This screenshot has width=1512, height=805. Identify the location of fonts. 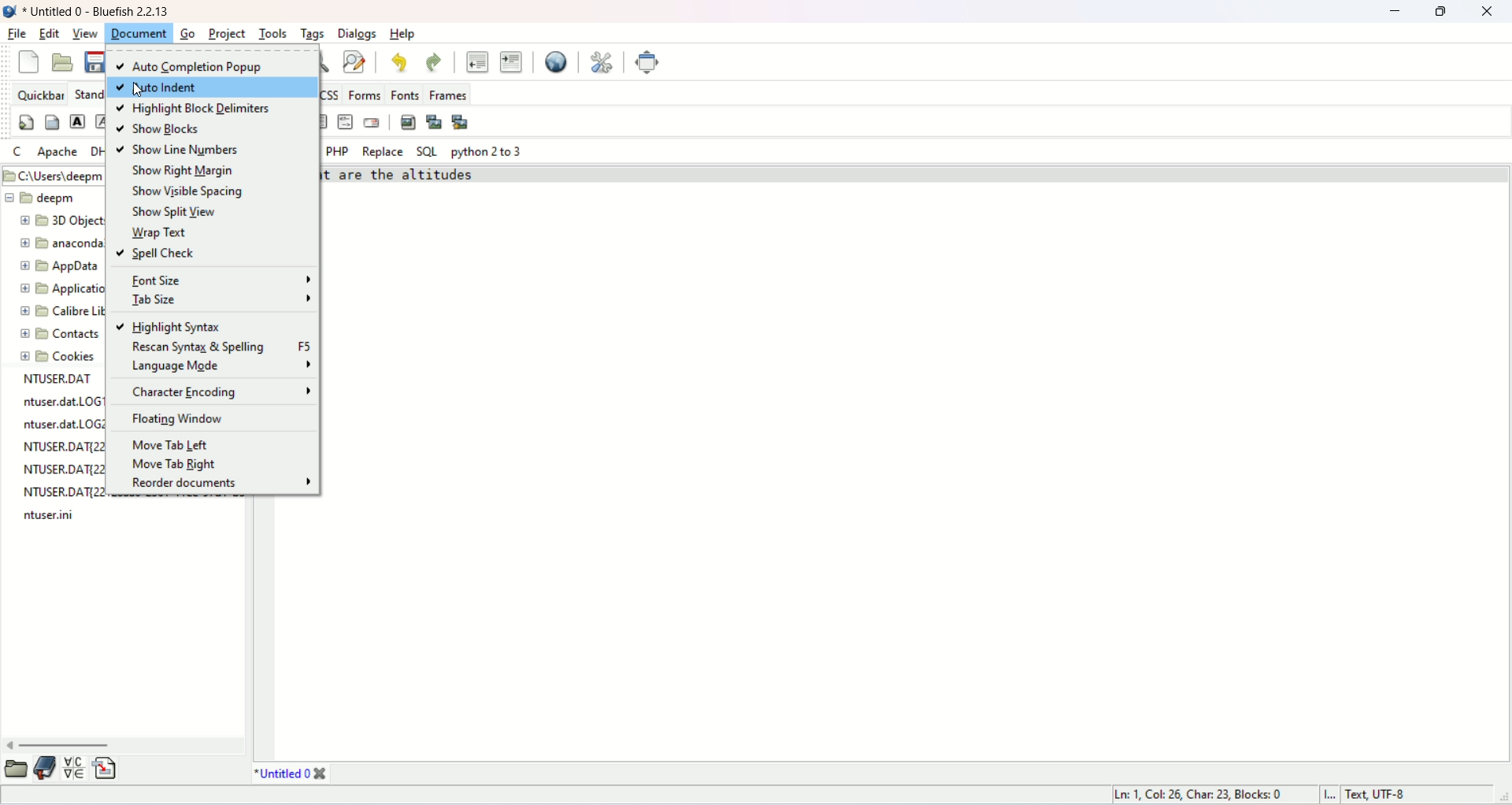
(404, 94).